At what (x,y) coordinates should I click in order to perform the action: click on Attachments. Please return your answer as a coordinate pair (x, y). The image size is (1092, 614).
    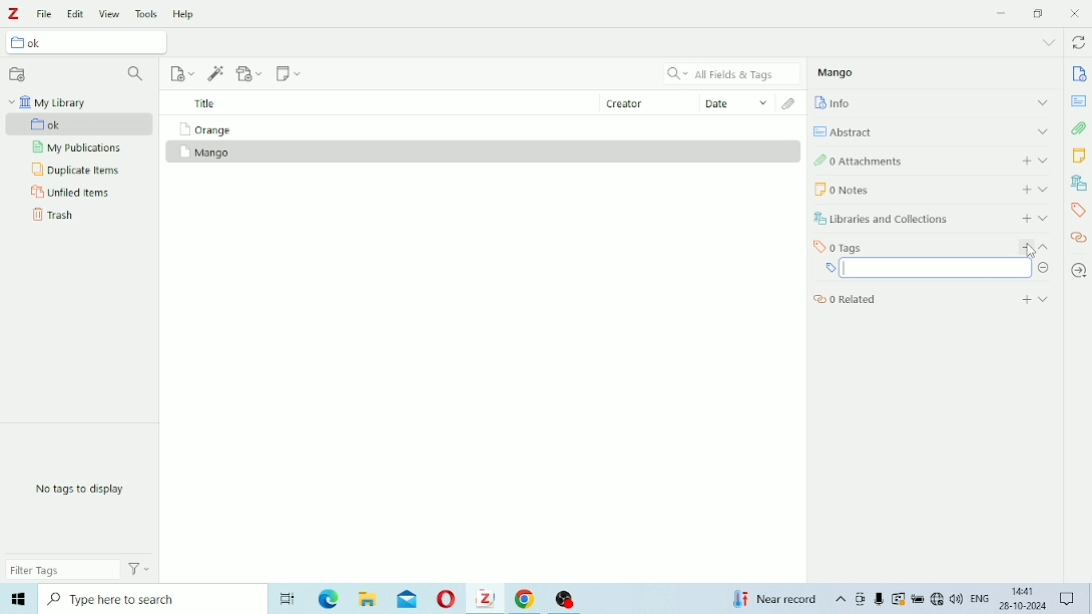
    Looking at the image, I should click on (1079, 128).